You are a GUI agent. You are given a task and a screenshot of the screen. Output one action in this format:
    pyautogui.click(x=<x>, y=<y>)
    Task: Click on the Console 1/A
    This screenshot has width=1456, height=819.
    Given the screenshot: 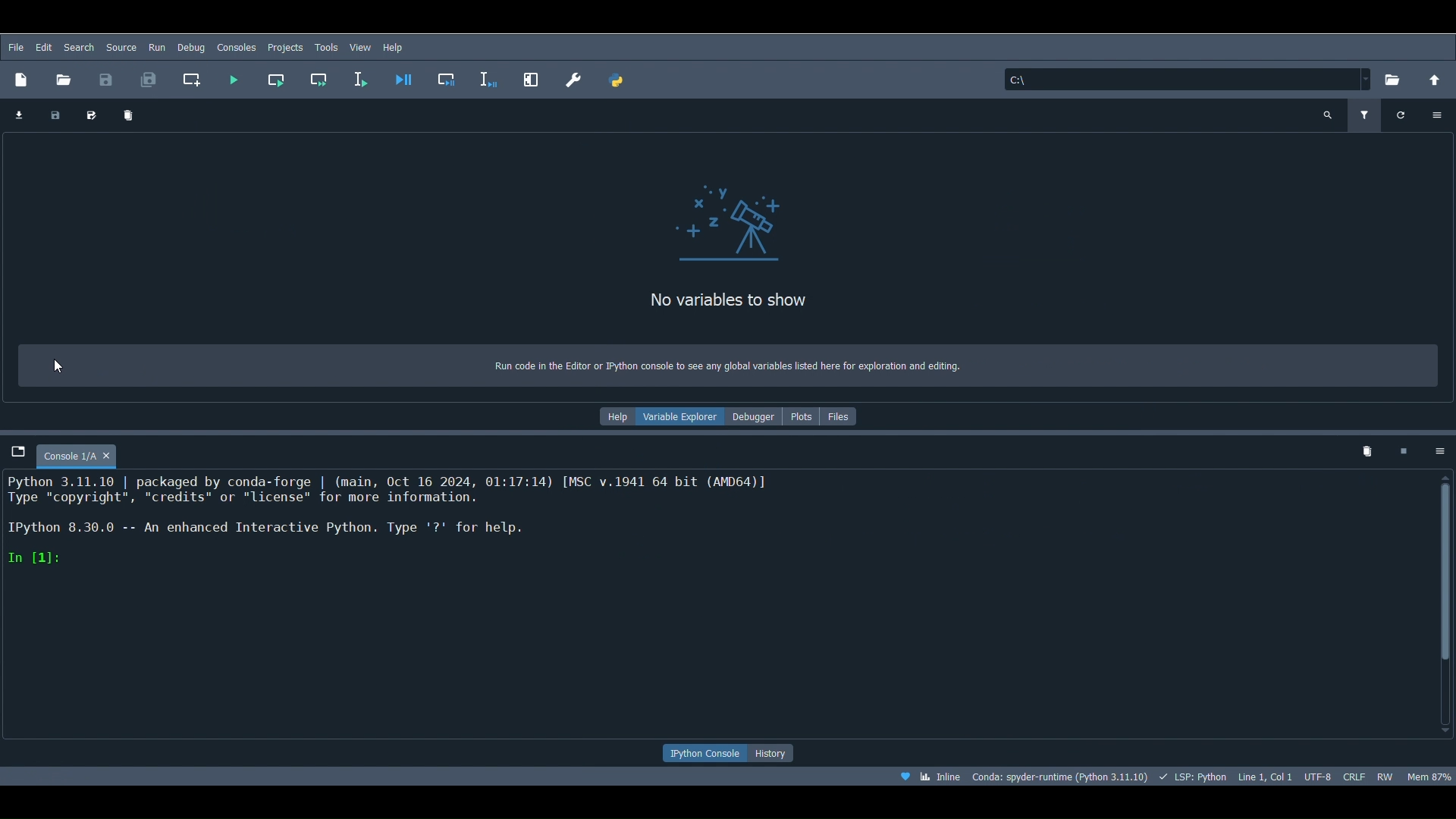 What is the action you would take?
    pyautogui.click(x=91, y=453)
    